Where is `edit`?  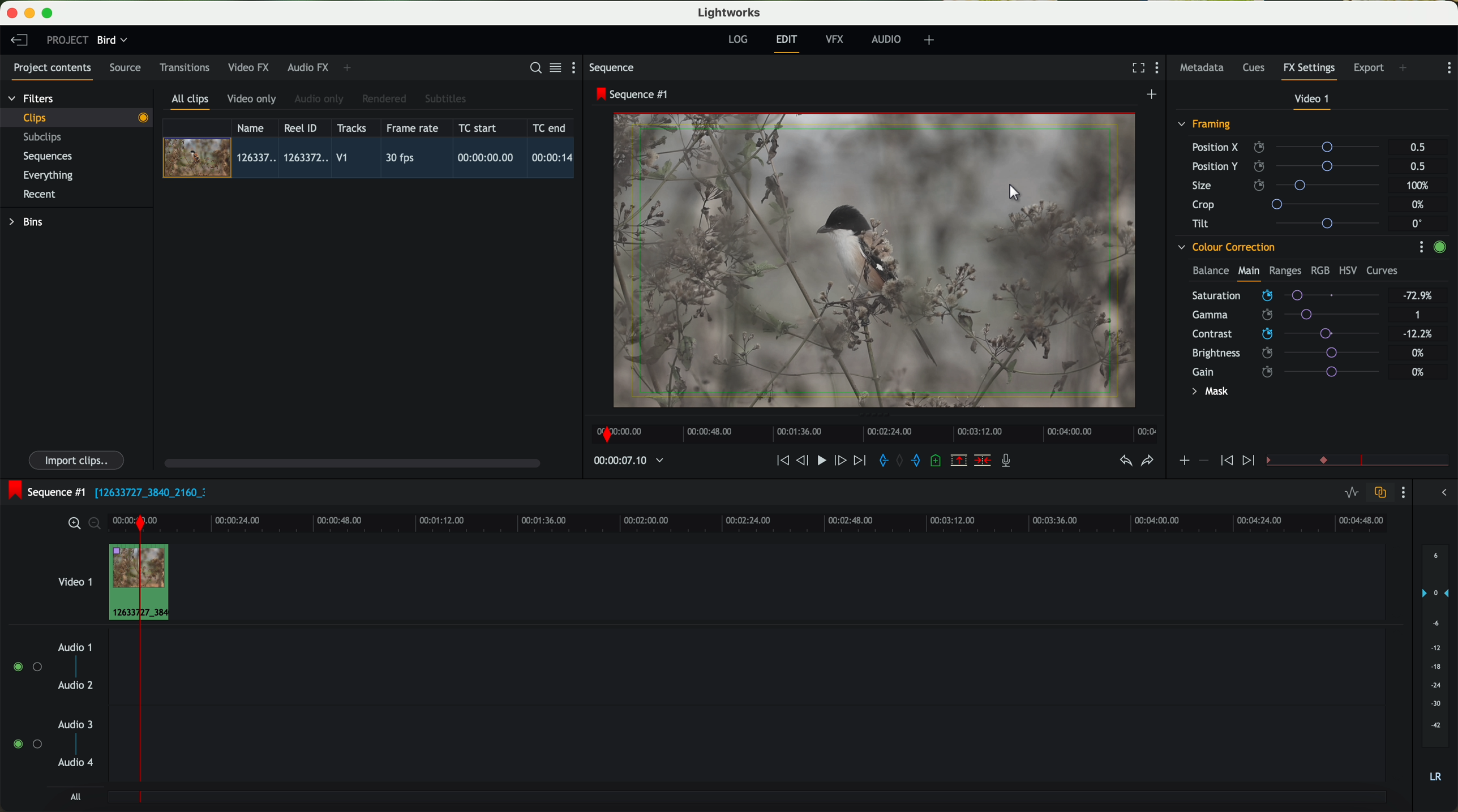 edit is located at coordinates (788, 42).